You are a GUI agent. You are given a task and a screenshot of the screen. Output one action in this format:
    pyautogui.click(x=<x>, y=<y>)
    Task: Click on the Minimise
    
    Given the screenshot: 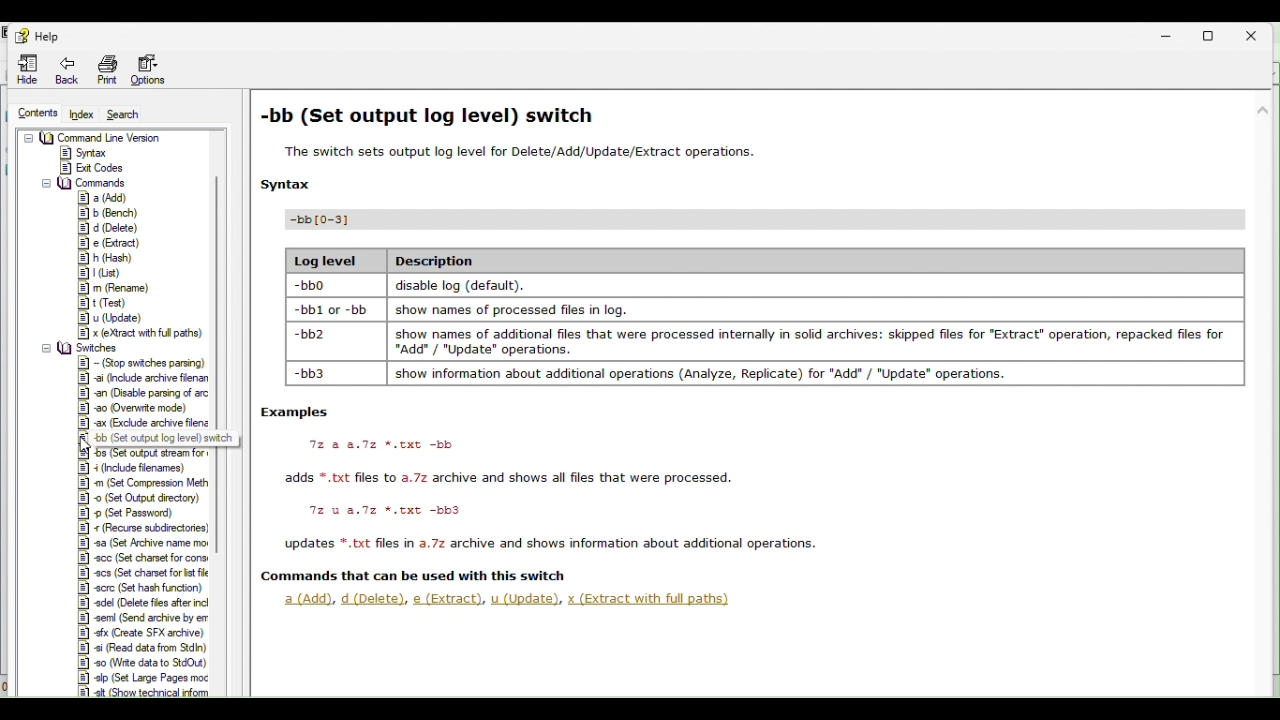 What is the action you would take?
    pyautogui.click(x=1173, y=35)
    